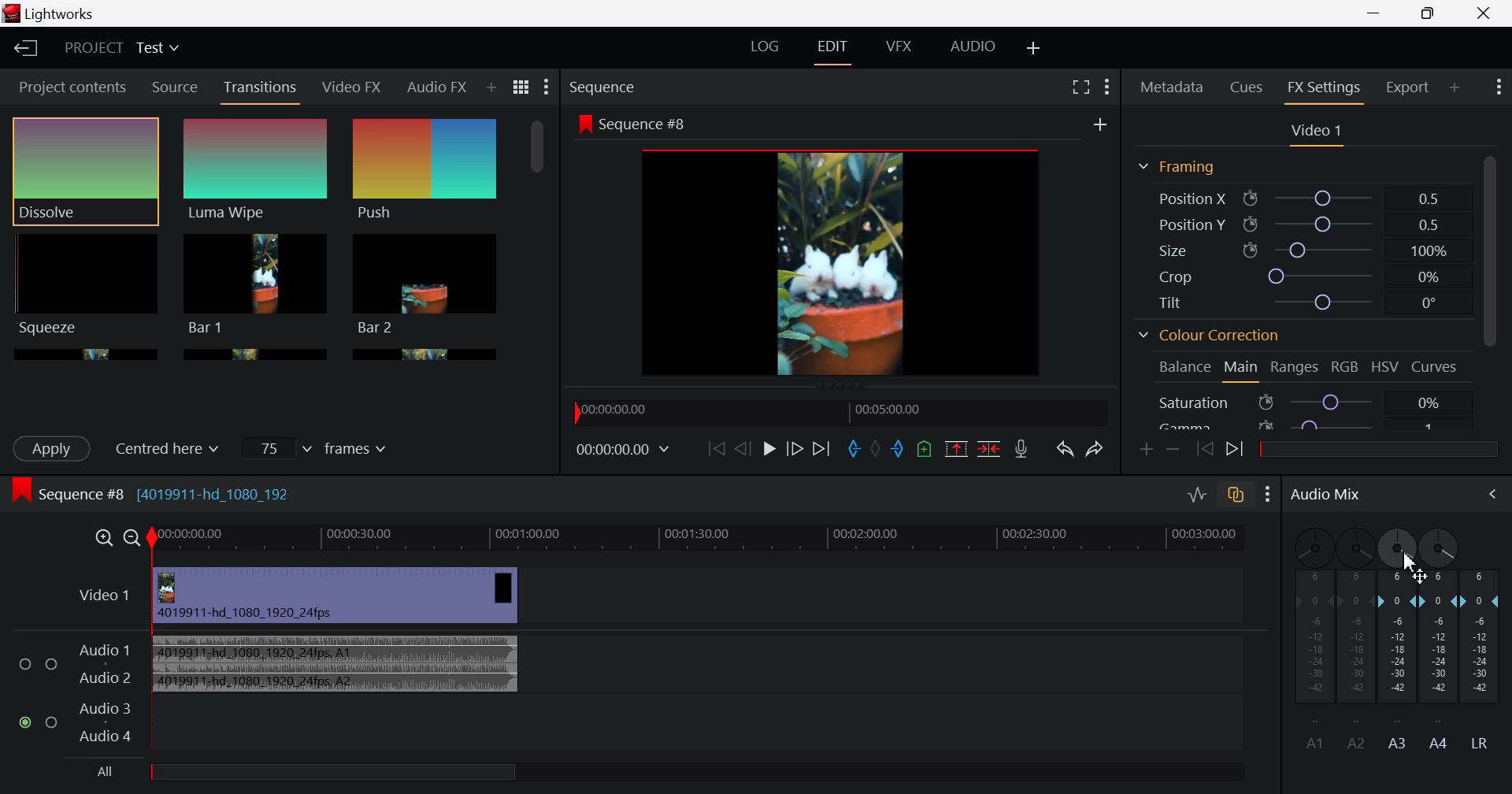 The width and height of the screenshot is (1512, 794). I want to click on Timeline Navigator, so click(841, 412).